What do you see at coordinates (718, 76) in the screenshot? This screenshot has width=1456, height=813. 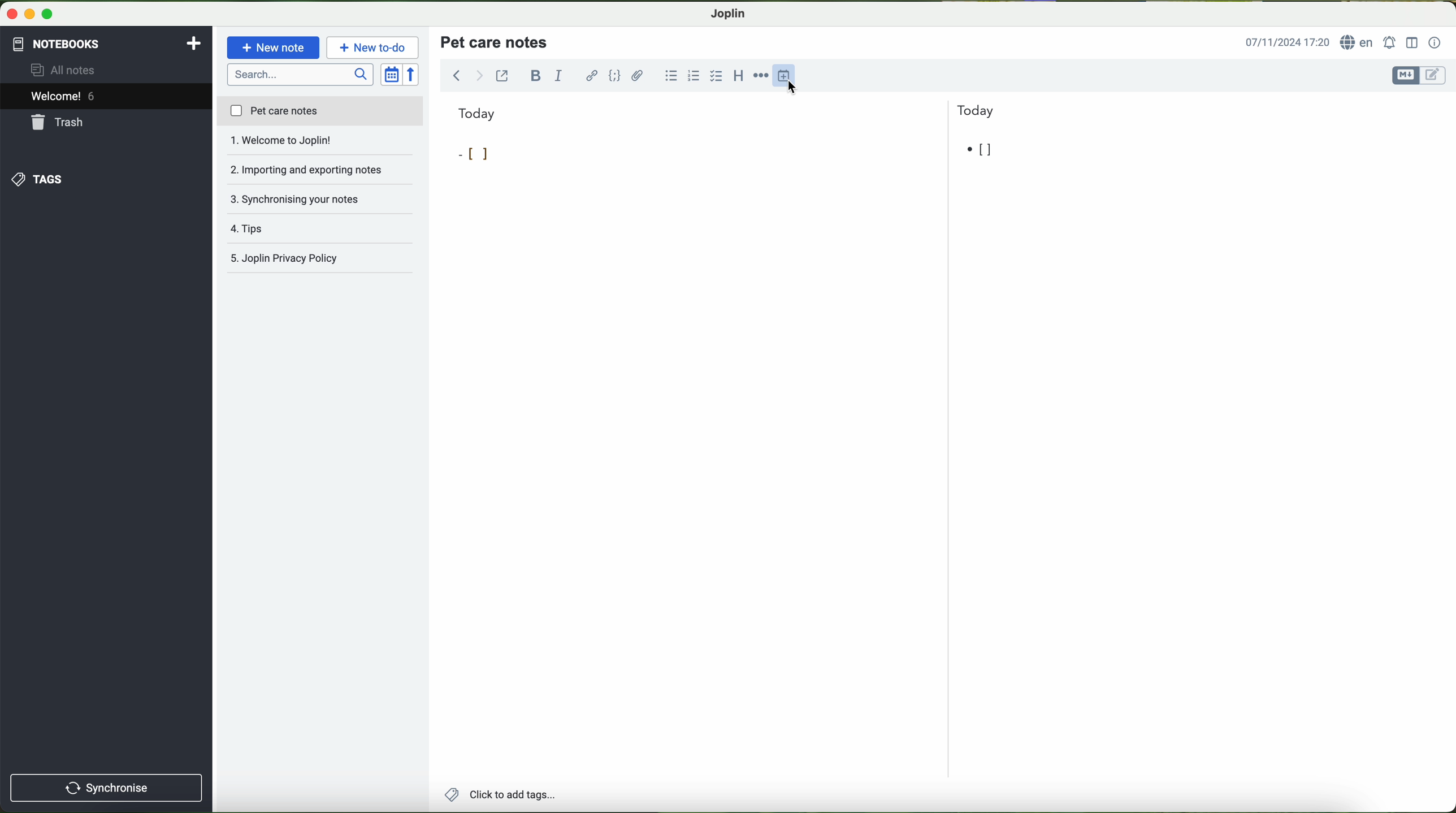 I see `cursor on checkbox option` at bounding box center [718, 76].